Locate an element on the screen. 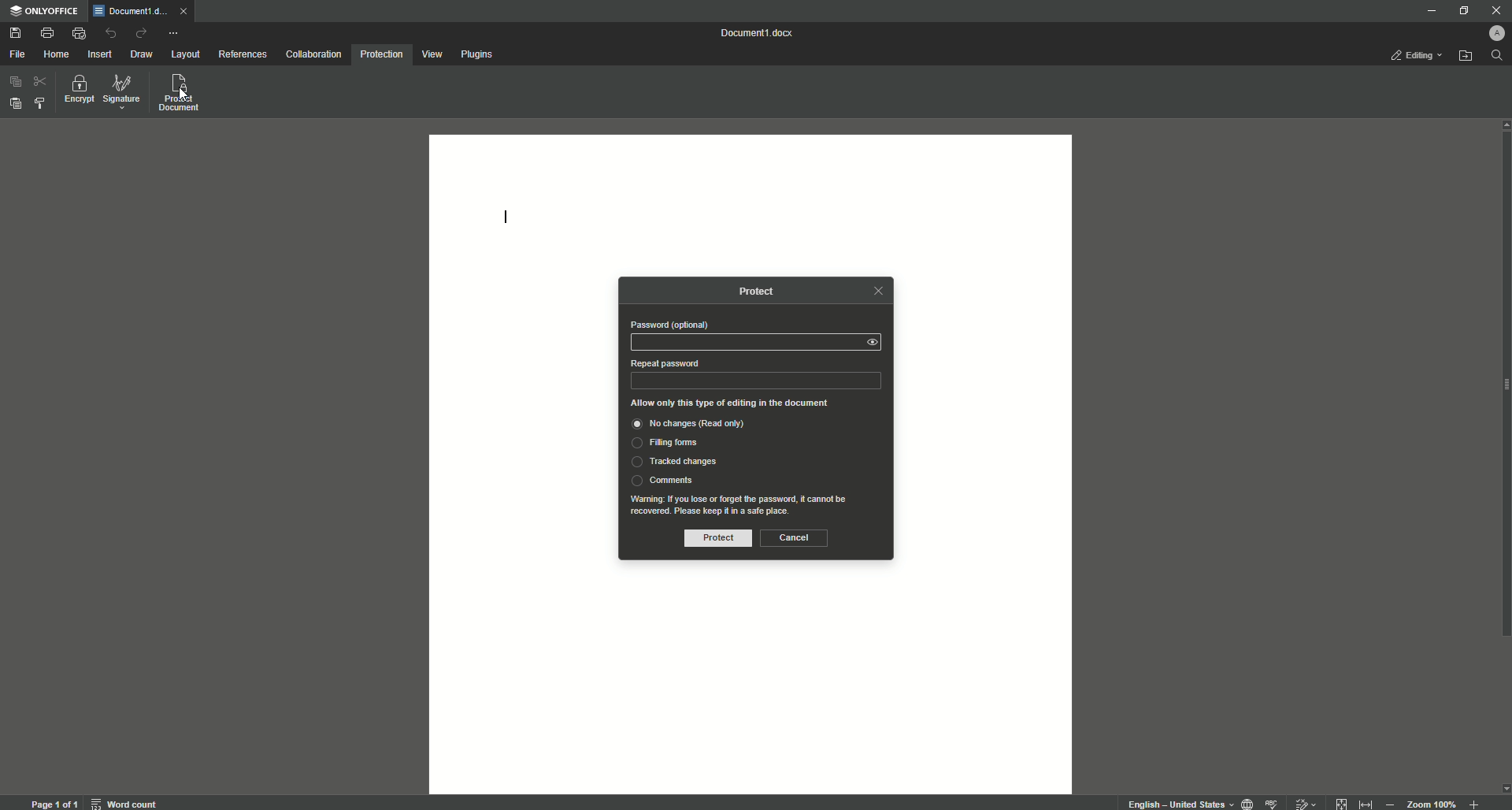  Password is located at coordinates (669, 325).